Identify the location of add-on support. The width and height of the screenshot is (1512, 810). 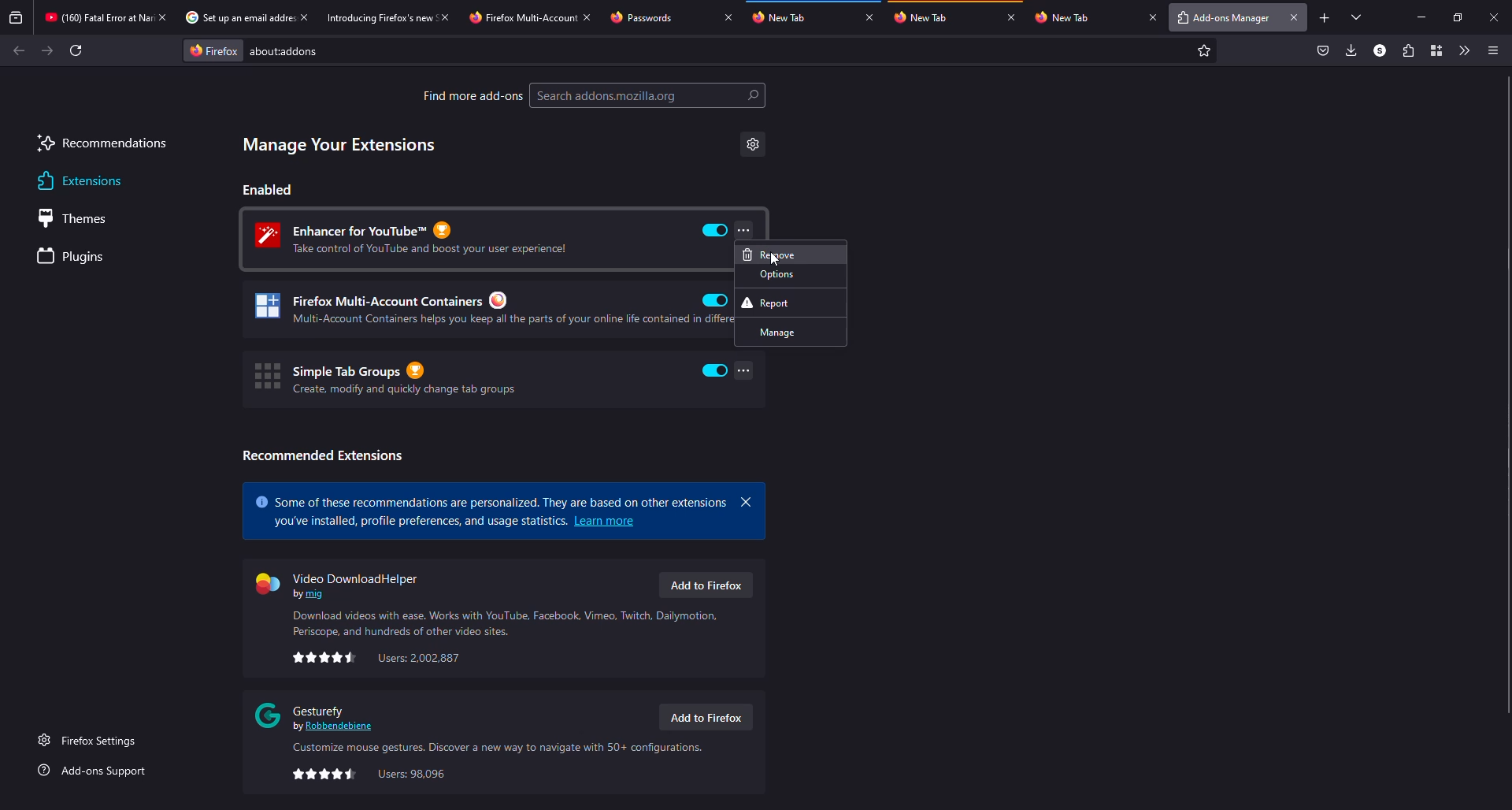
(95, 771).